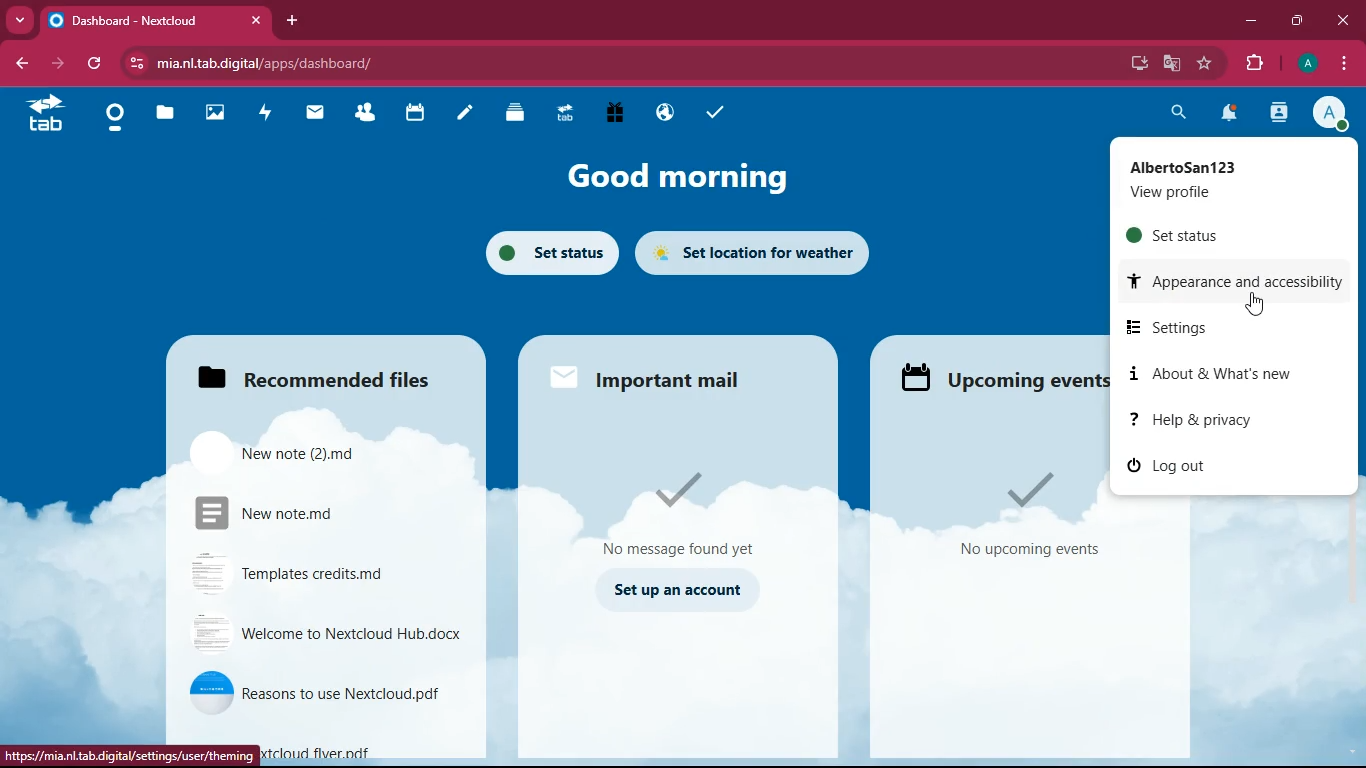 This screenshot has height=768, width=1366. What do you see at coordinates (1260, 307) in the screenshot?
I see `cursor` at bounding box center [1260, 307].